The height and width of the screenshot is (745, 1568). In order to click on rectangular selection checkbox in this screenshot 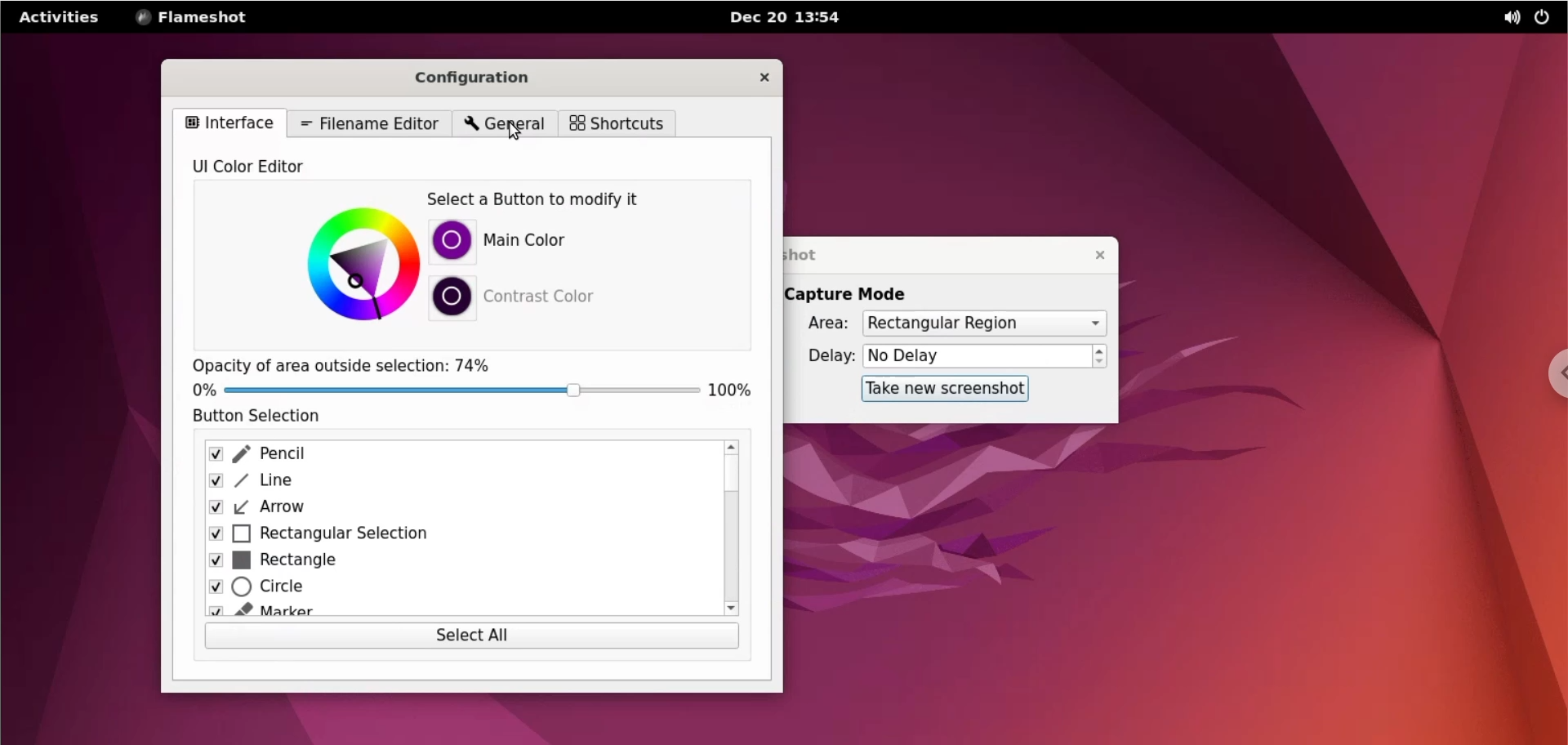, I will do `click(454, 535)`.